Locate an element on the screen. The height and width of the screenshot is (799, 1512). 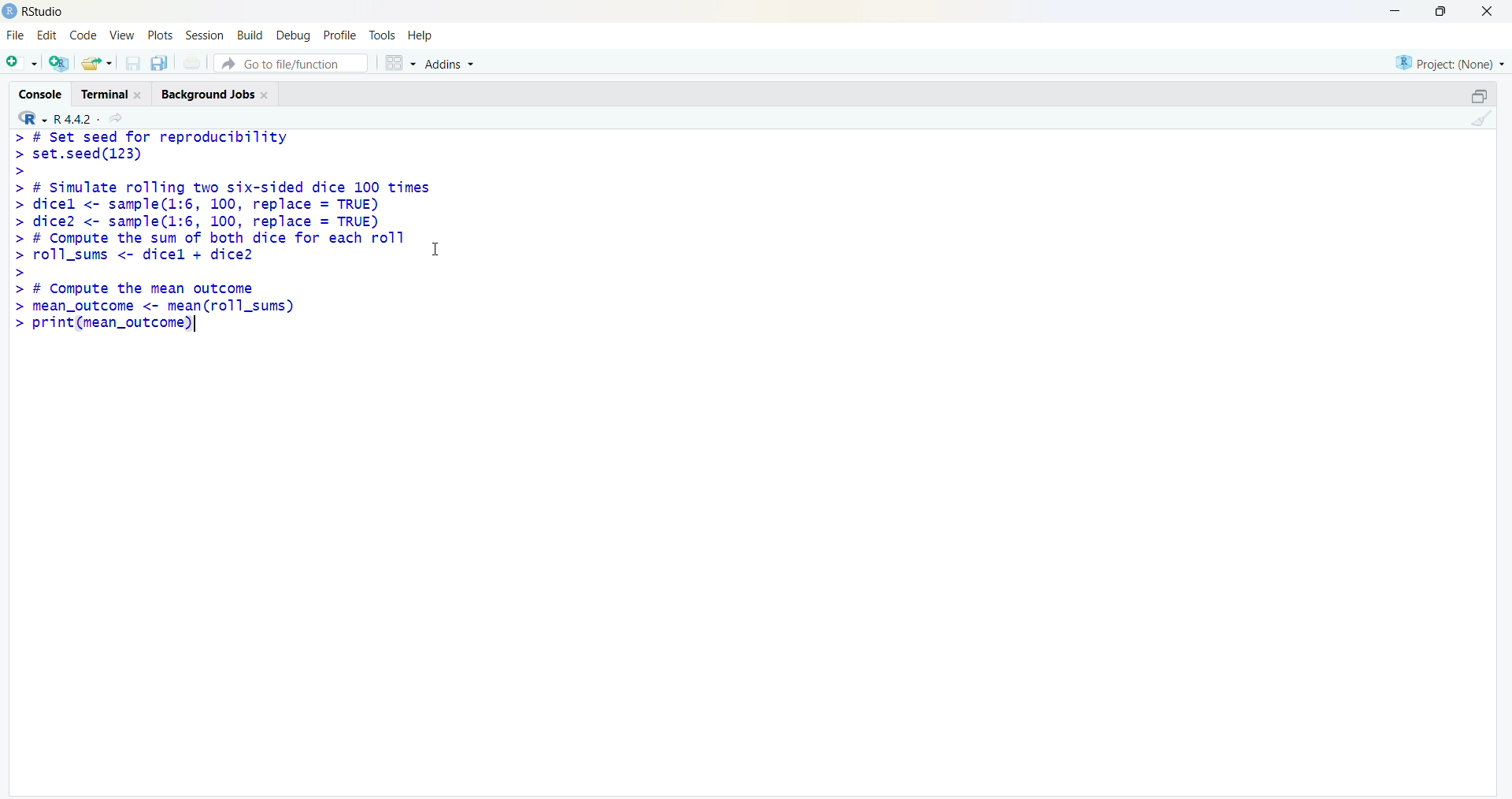
build is located at coordinates (249, 36).